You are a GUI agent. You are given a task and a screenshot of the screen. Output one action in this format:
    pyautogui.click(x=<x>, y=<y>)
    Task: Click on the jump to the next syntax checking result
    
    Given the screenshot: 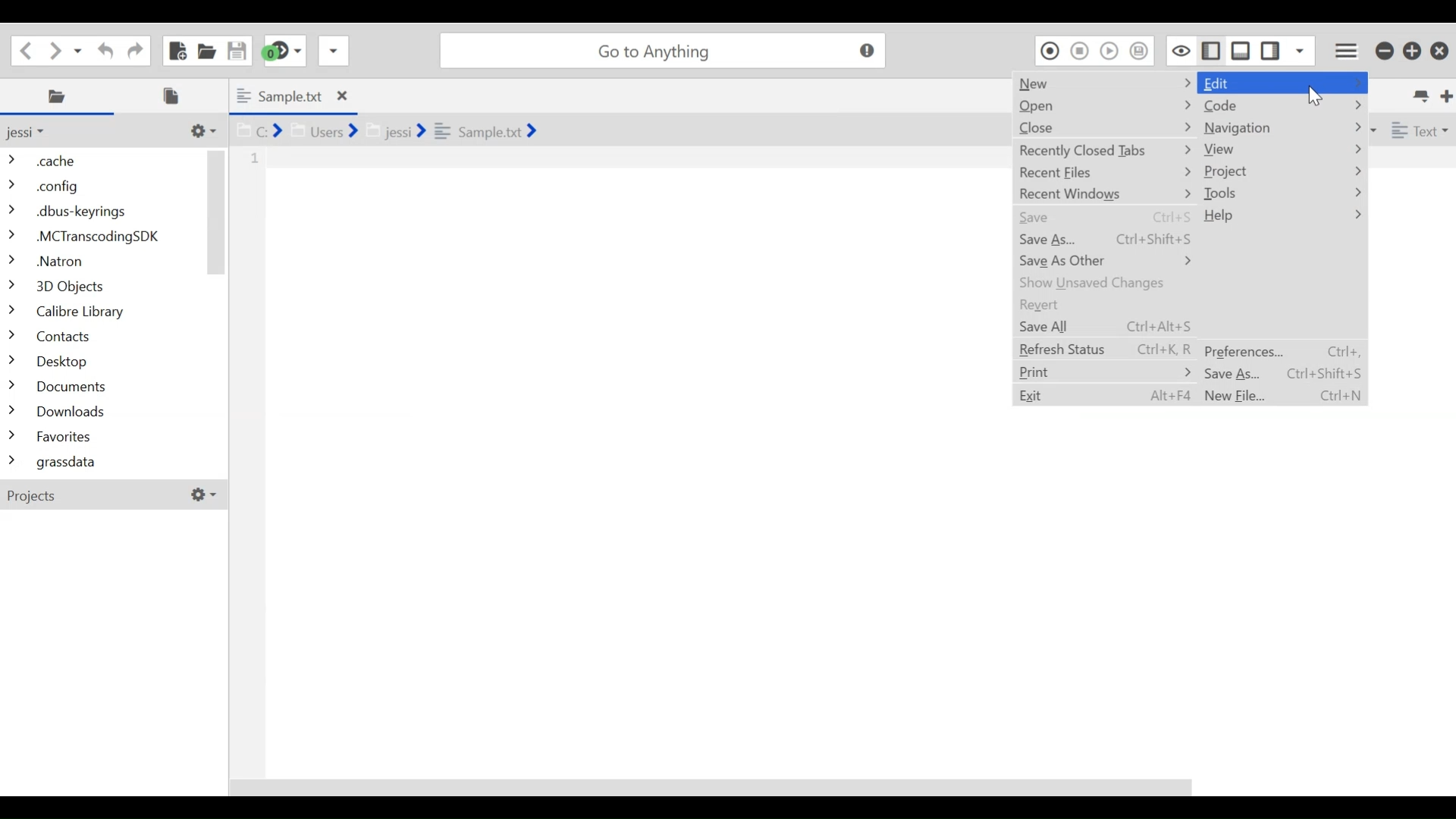 What is the action you would take?
    pyautogui.click(x=284, y=51)
    